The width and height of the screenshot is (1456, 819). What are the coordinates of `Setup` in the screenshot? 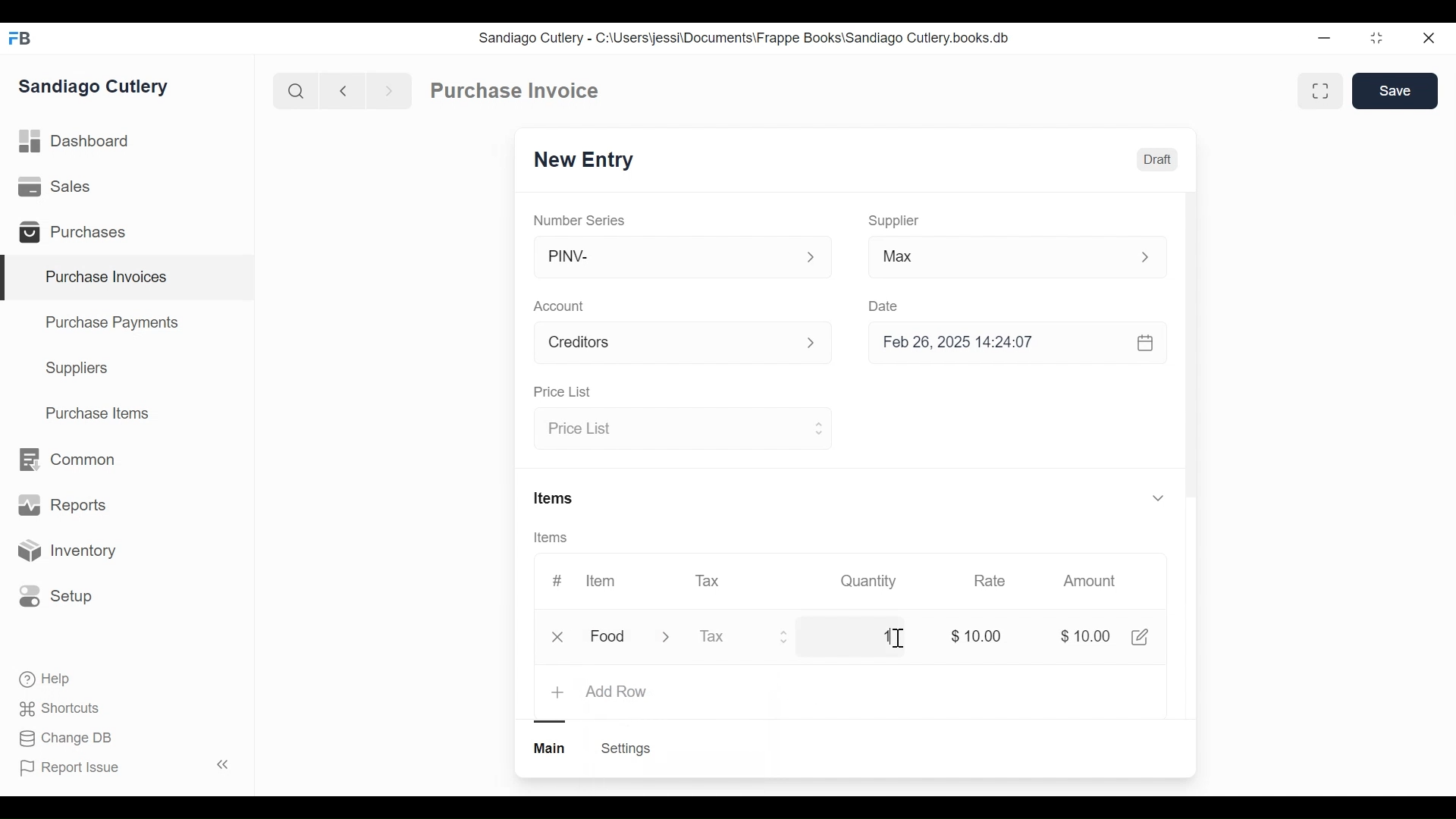 It's located at (56, 595).